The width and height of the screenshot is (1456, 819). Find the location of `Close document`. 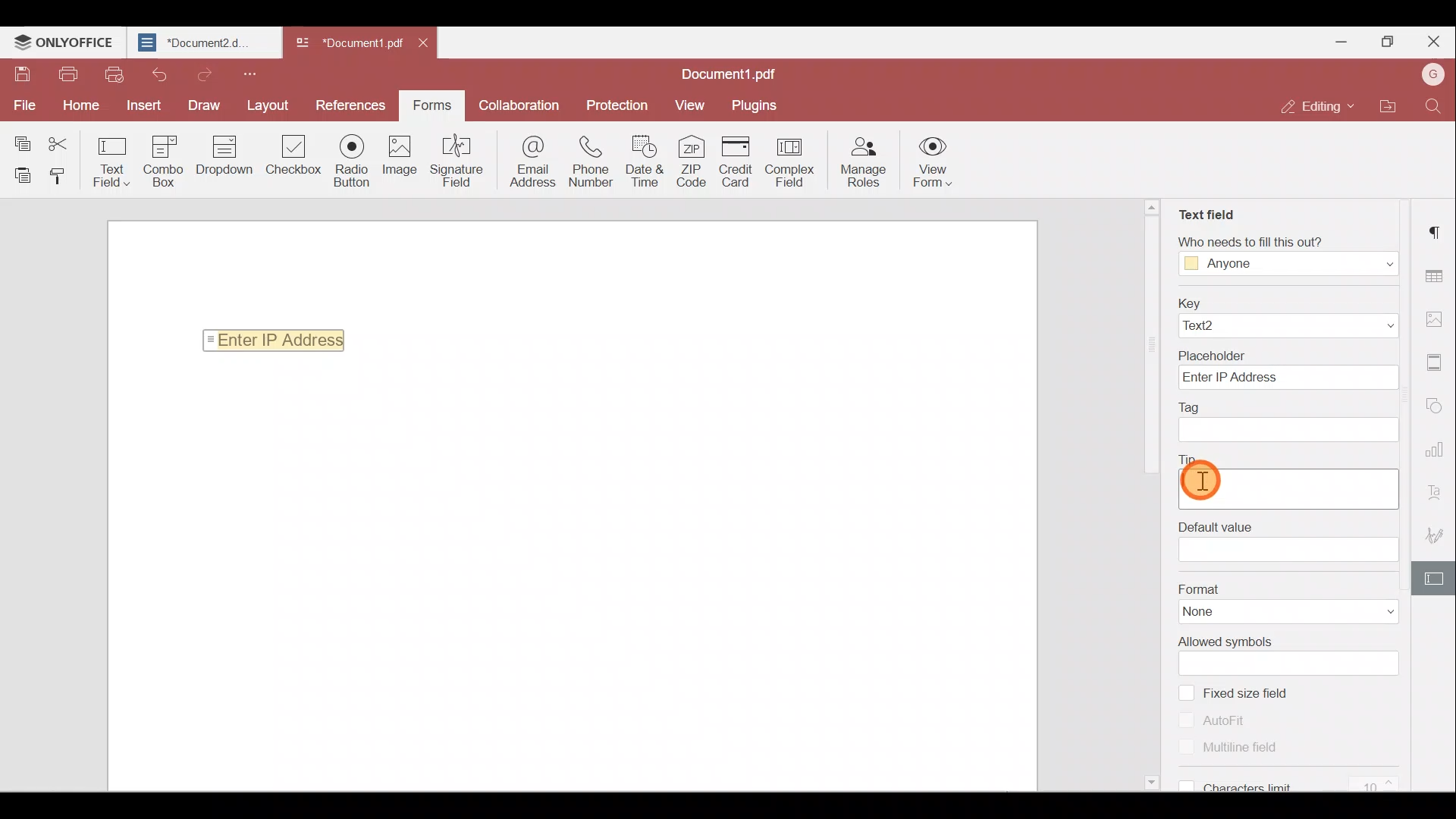

Close document is located at coordinates (427, 48).